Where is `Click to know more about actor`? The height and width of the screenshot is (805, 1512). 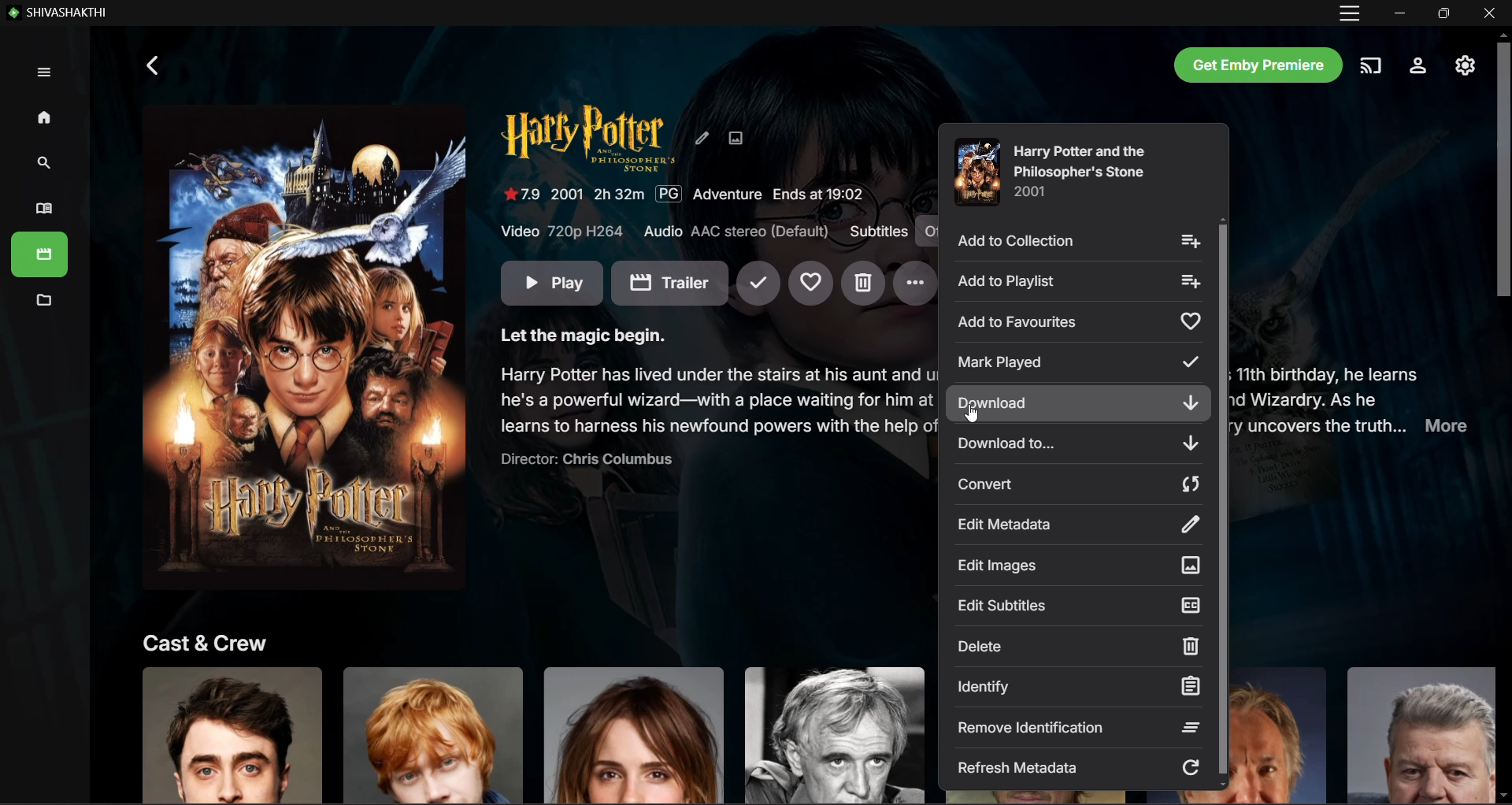
Click to know more about actor is located at coordinates (1282, 734).